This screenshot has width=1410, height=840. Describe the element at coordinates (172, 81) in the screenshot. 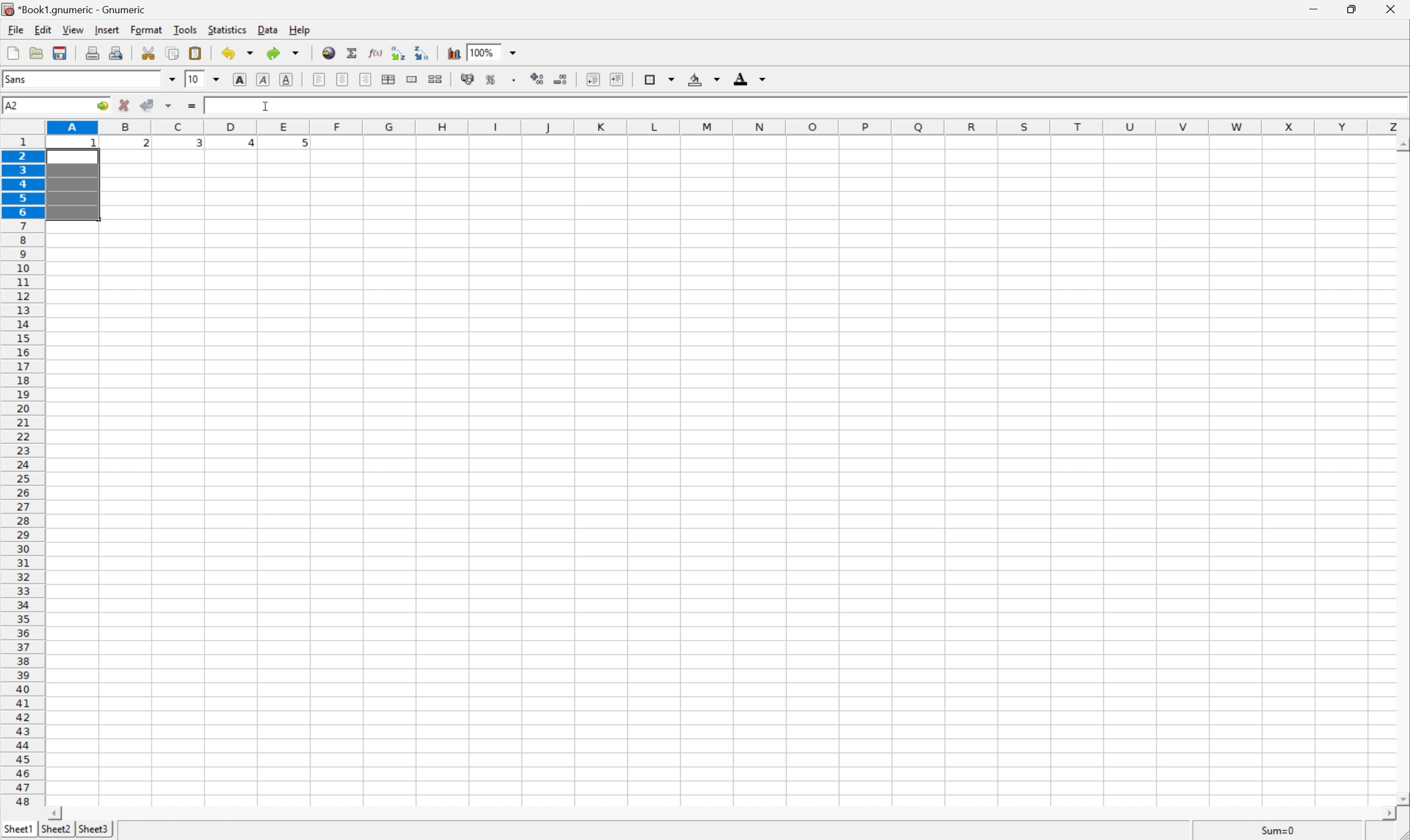

I see `drop down` at that location.